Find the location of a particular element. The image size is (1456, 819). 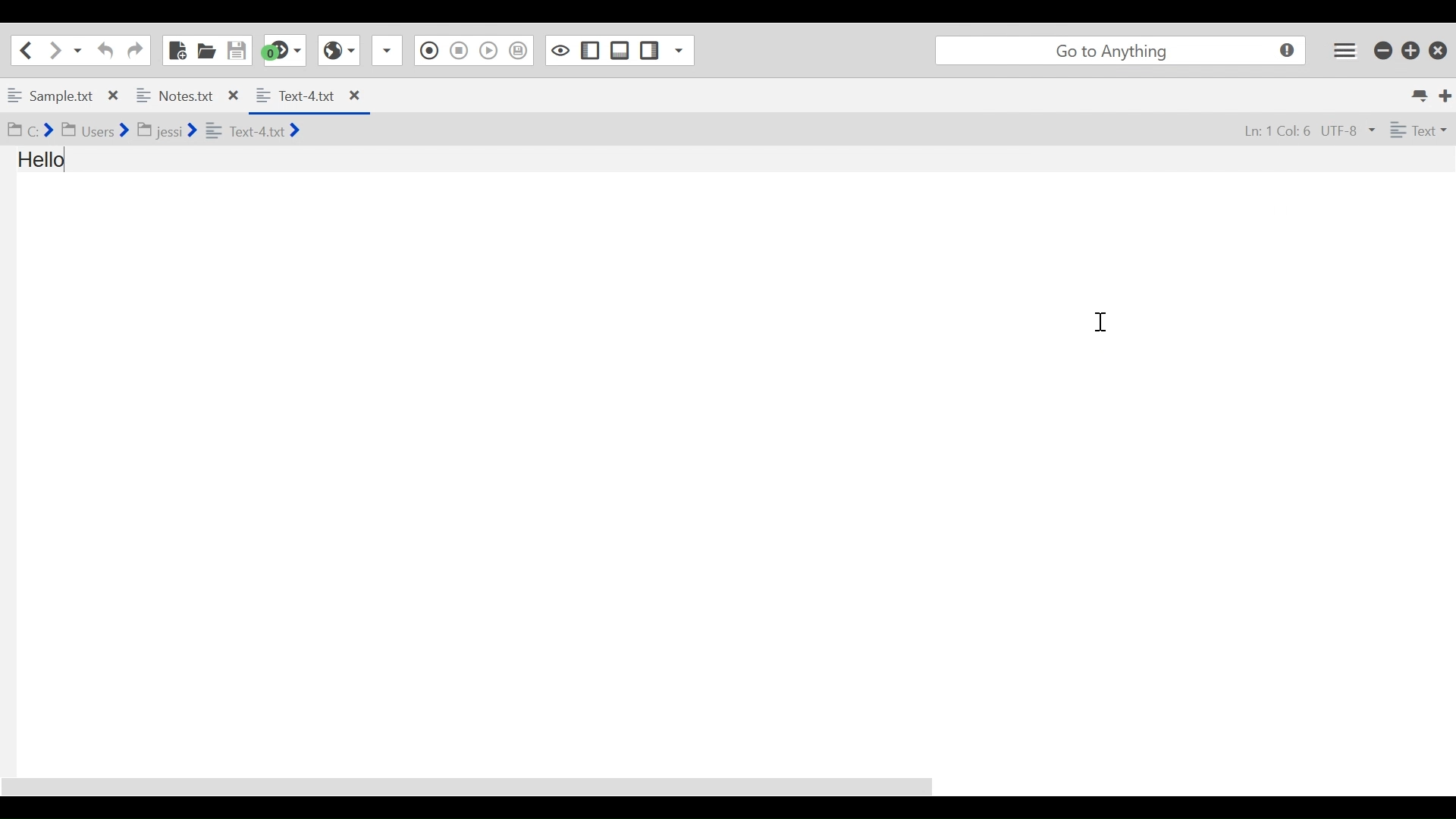

Save to Toolbox as Superscript is located at coordinates (517, 52).